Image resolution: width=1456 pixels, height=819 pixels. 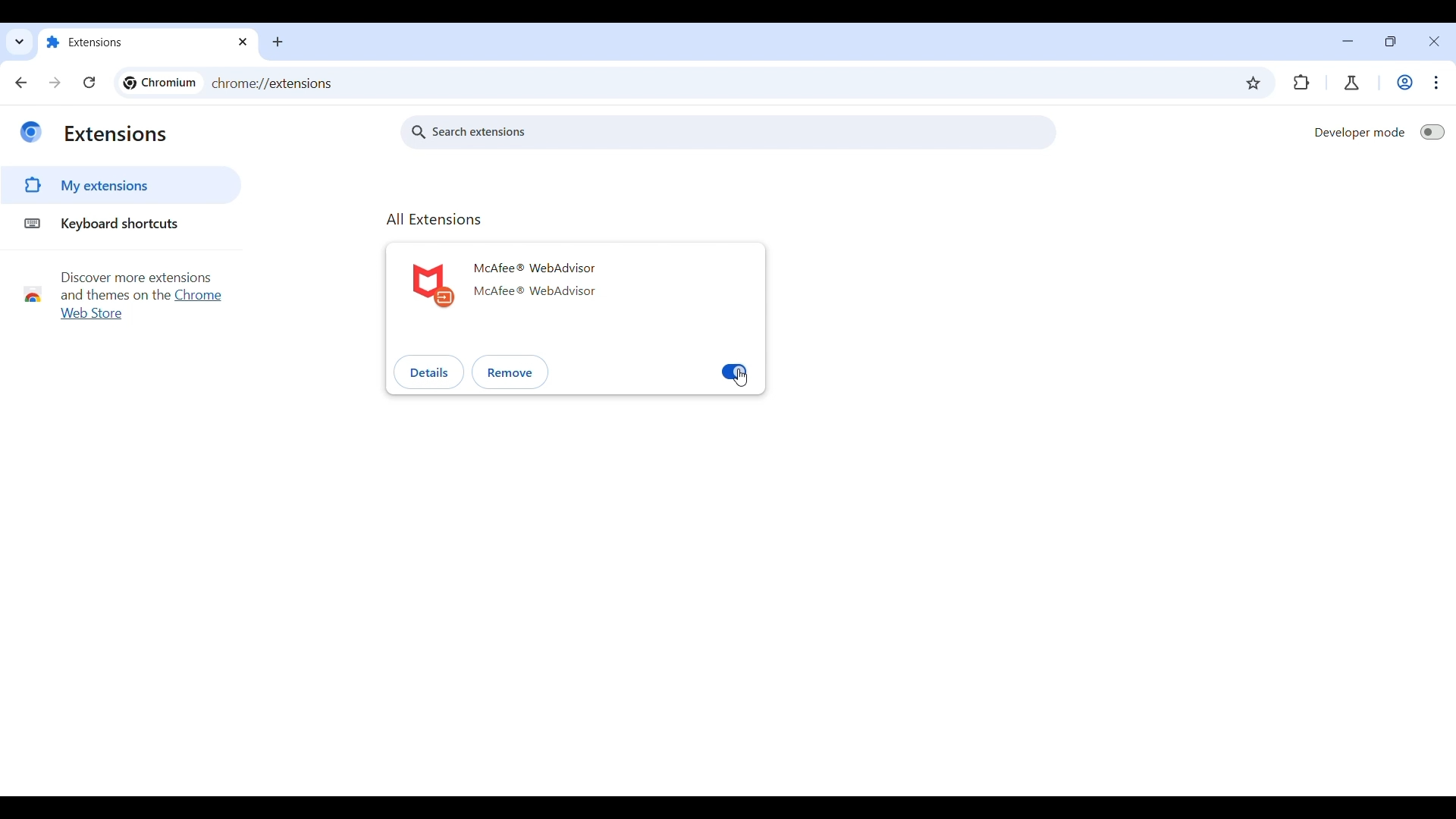 What do you see at coordinates (433, 286) in the screenshot?
I see `Logo of current extension` at bounding box center [433, 286].